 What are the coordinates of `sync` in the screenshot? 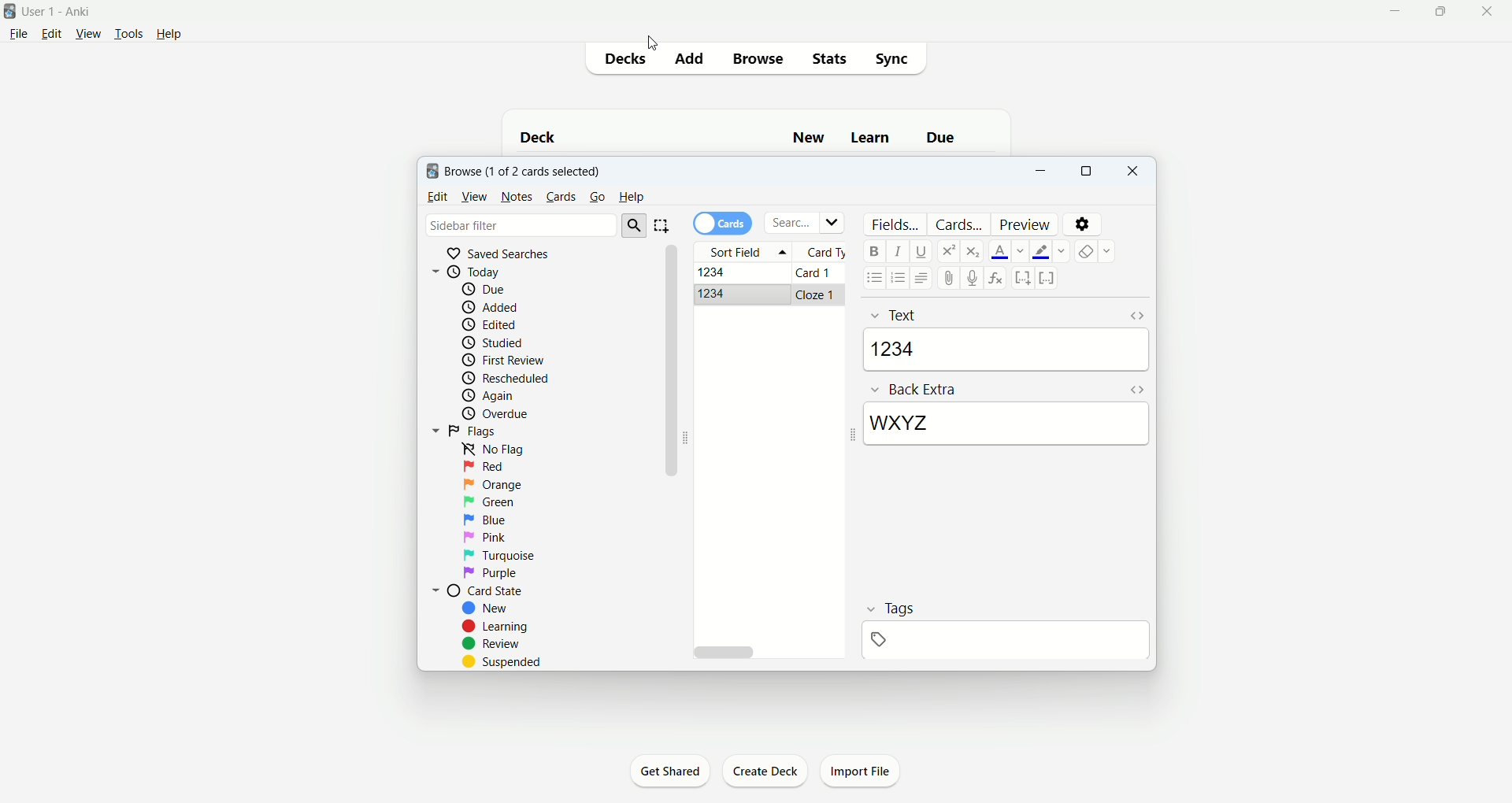 It's located at (894, 60).